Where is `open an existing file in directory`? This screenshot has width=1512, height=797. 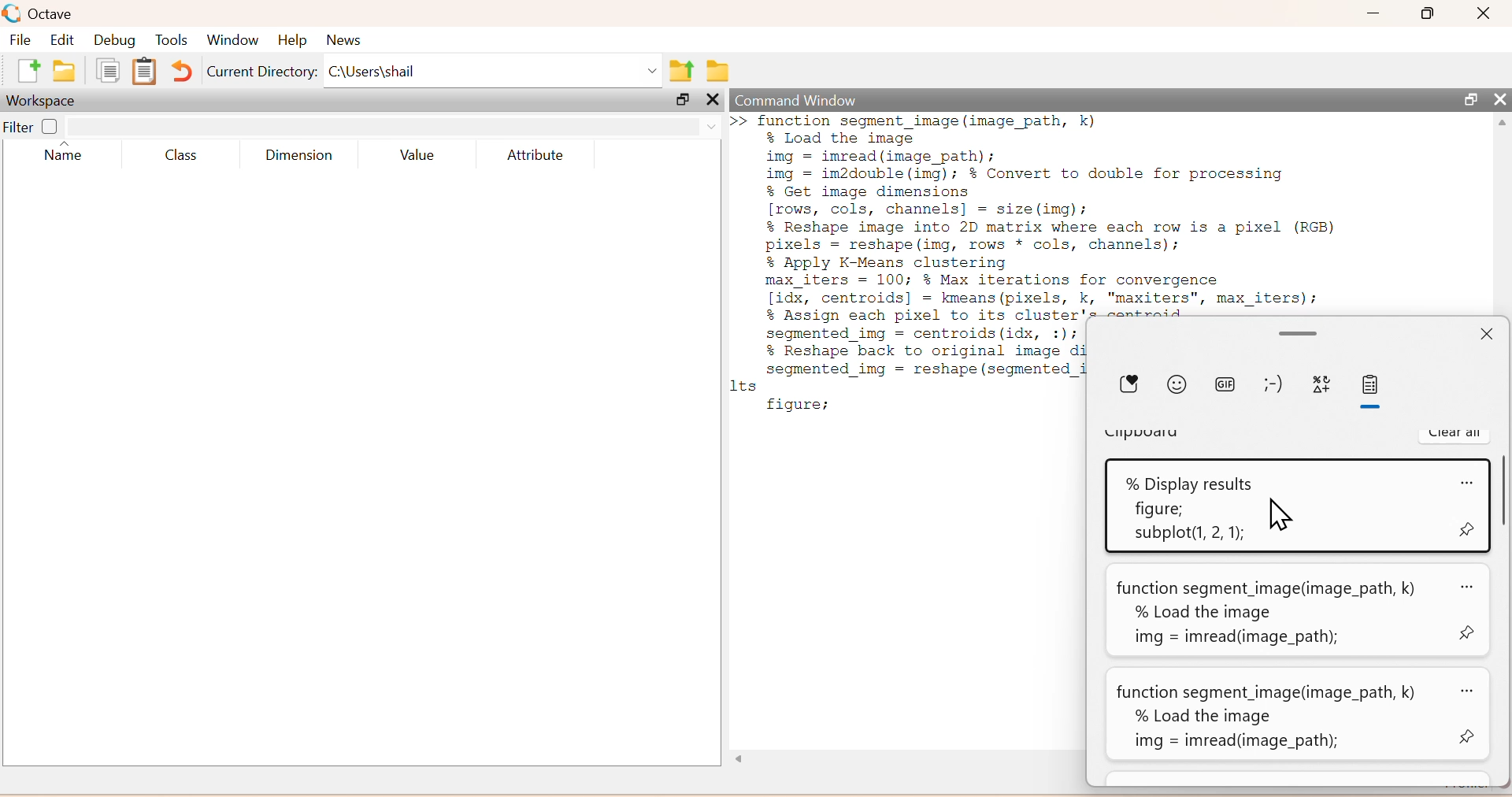
open an existing file in directory is located at coordinates (69, 71).